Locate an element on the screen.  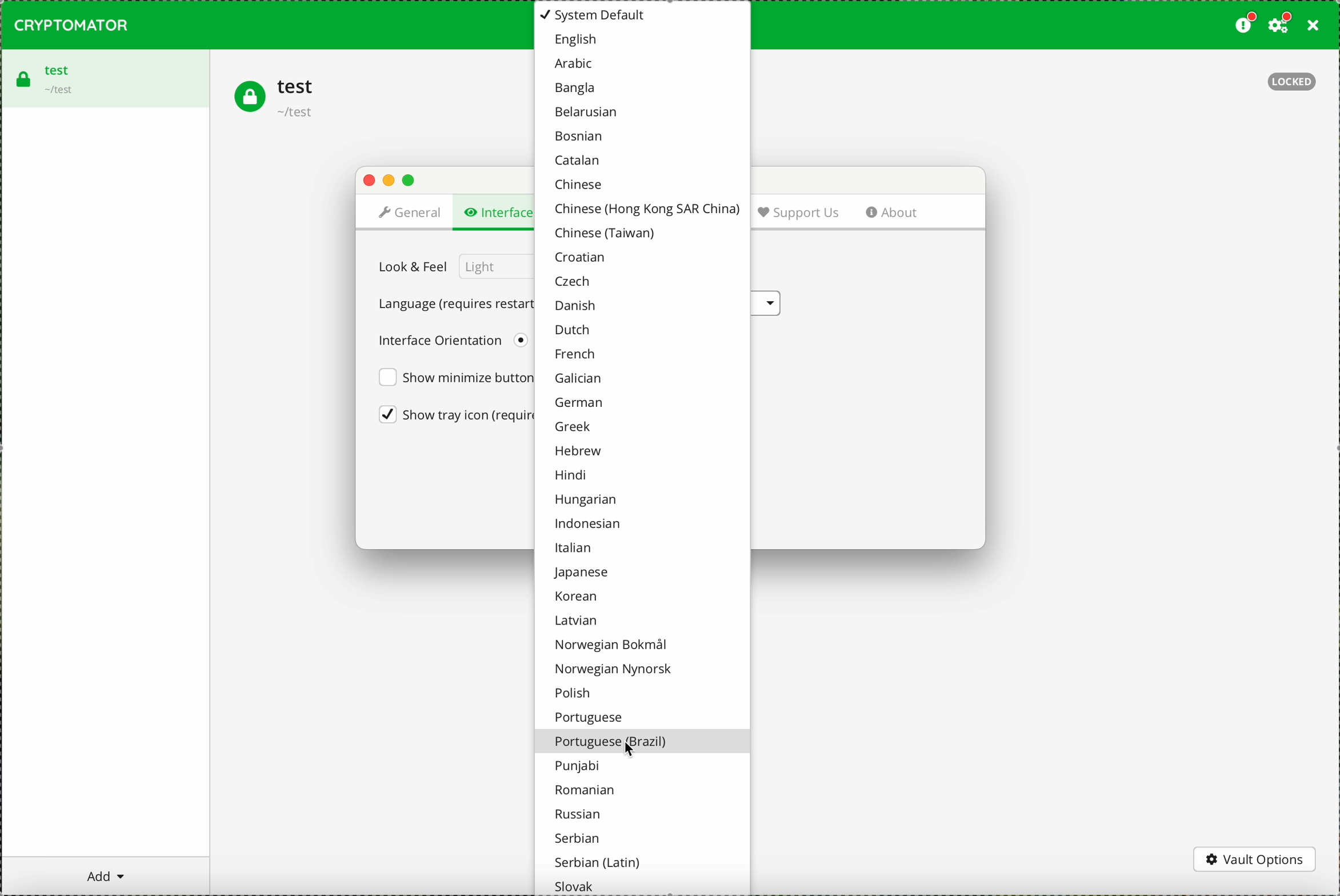
greek is located at coordinates (573, 426).